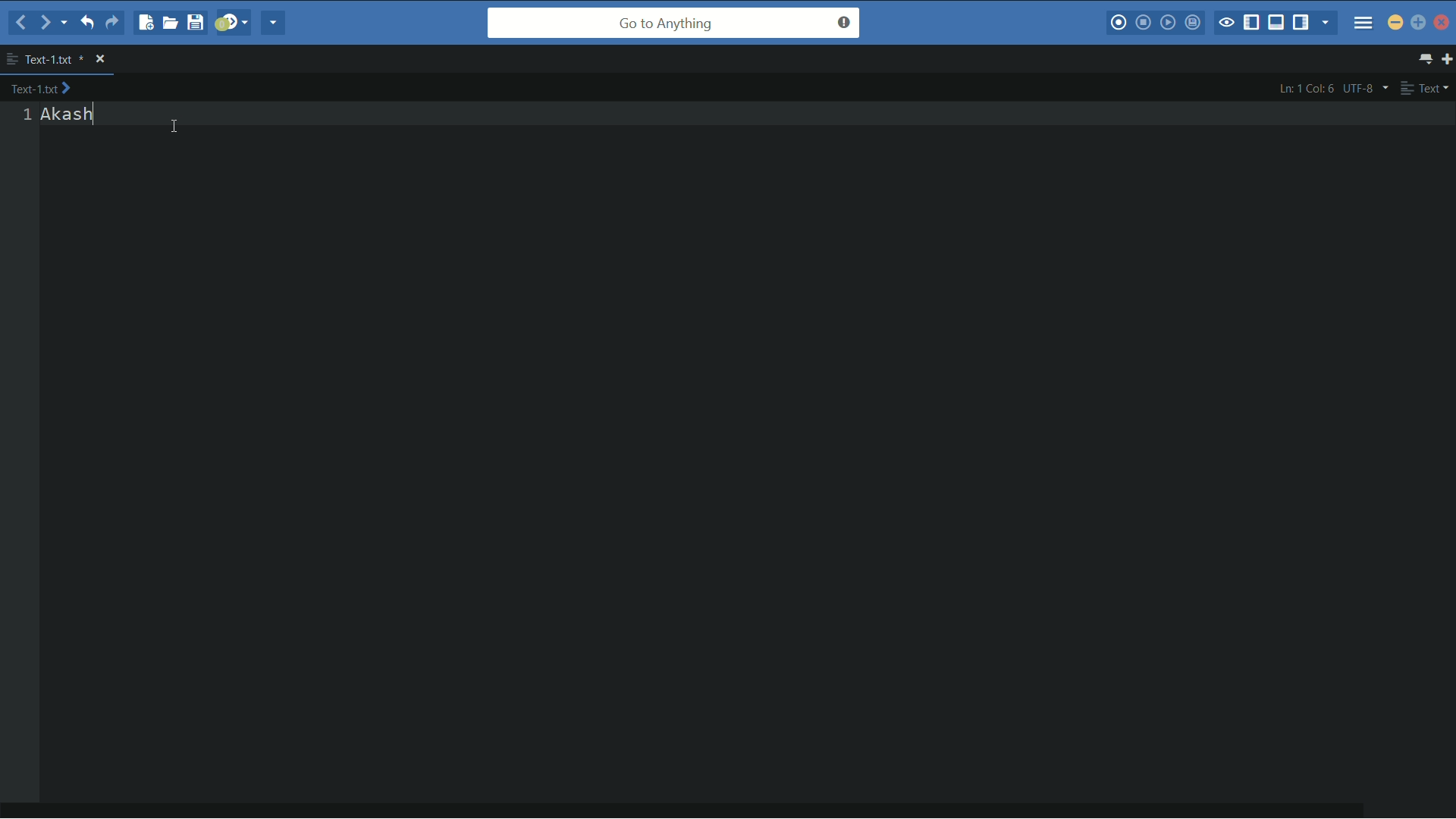  I want to click on line encoding, so click(1367, 89).